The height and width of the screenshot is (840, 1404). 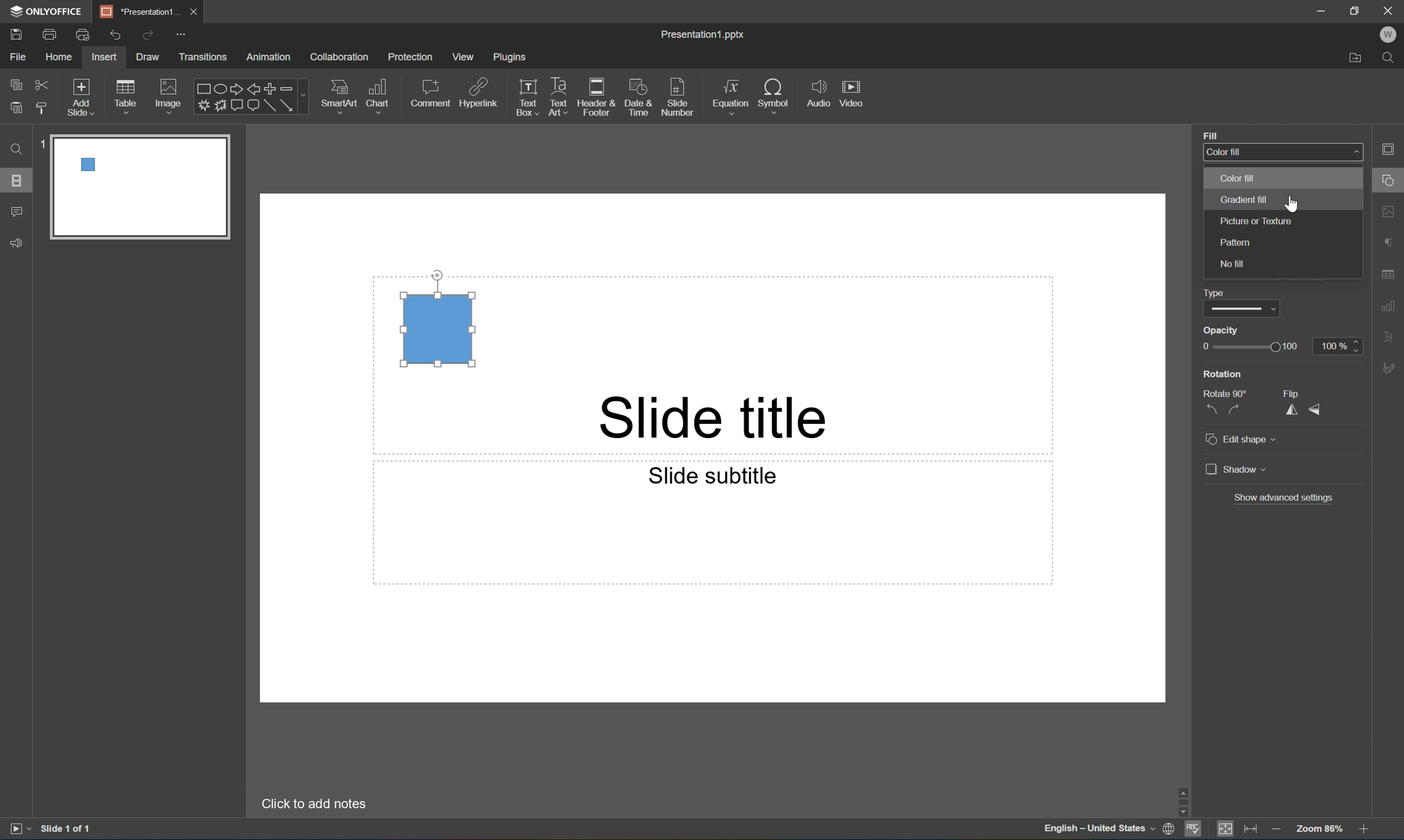 I want to click on Show advanced settings, so click(x=1282, y=500).